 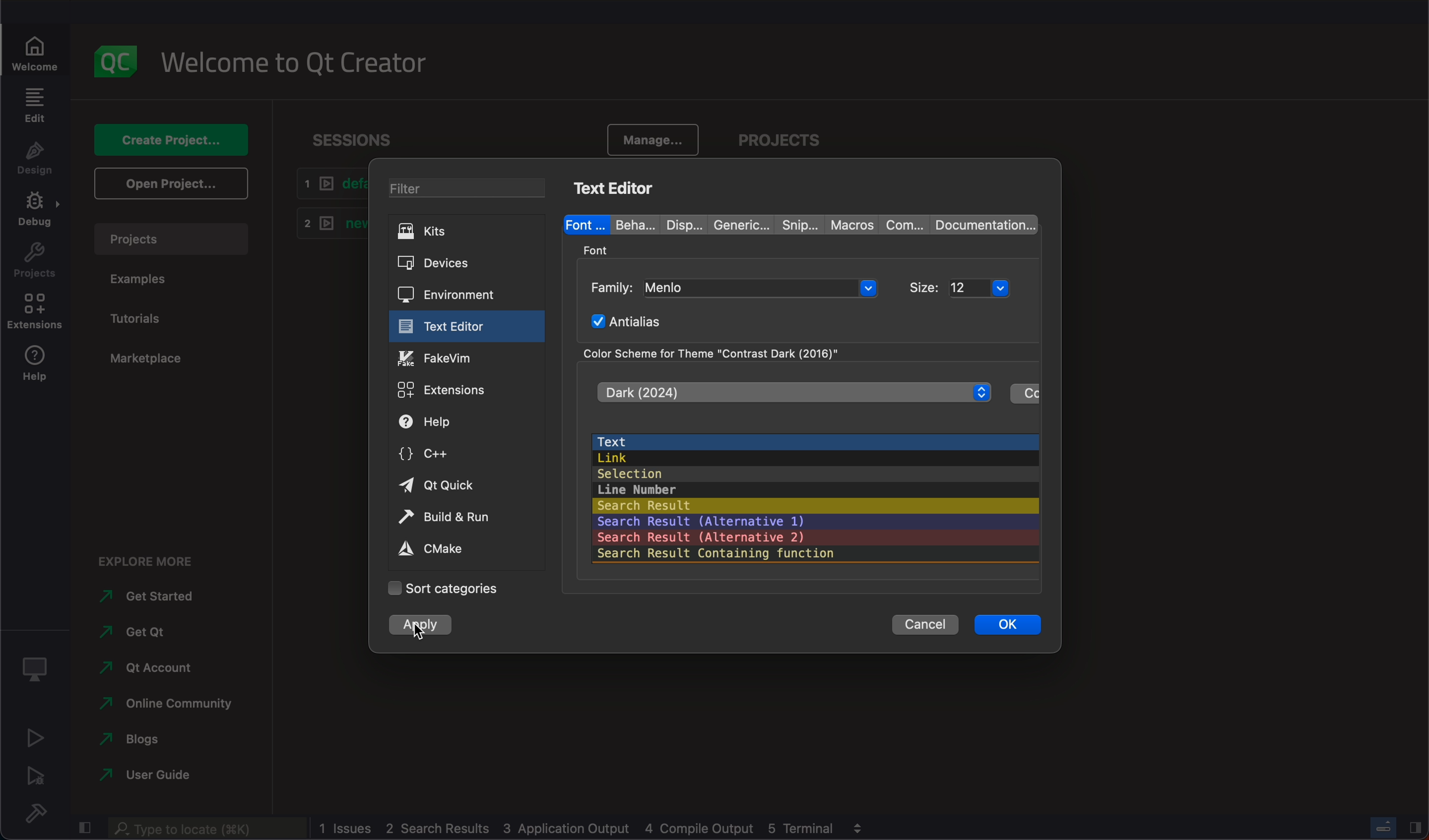 What do you see at coordinates (649, 136) in the screenshot?
I see `manage` at bounding box center [649, 136].